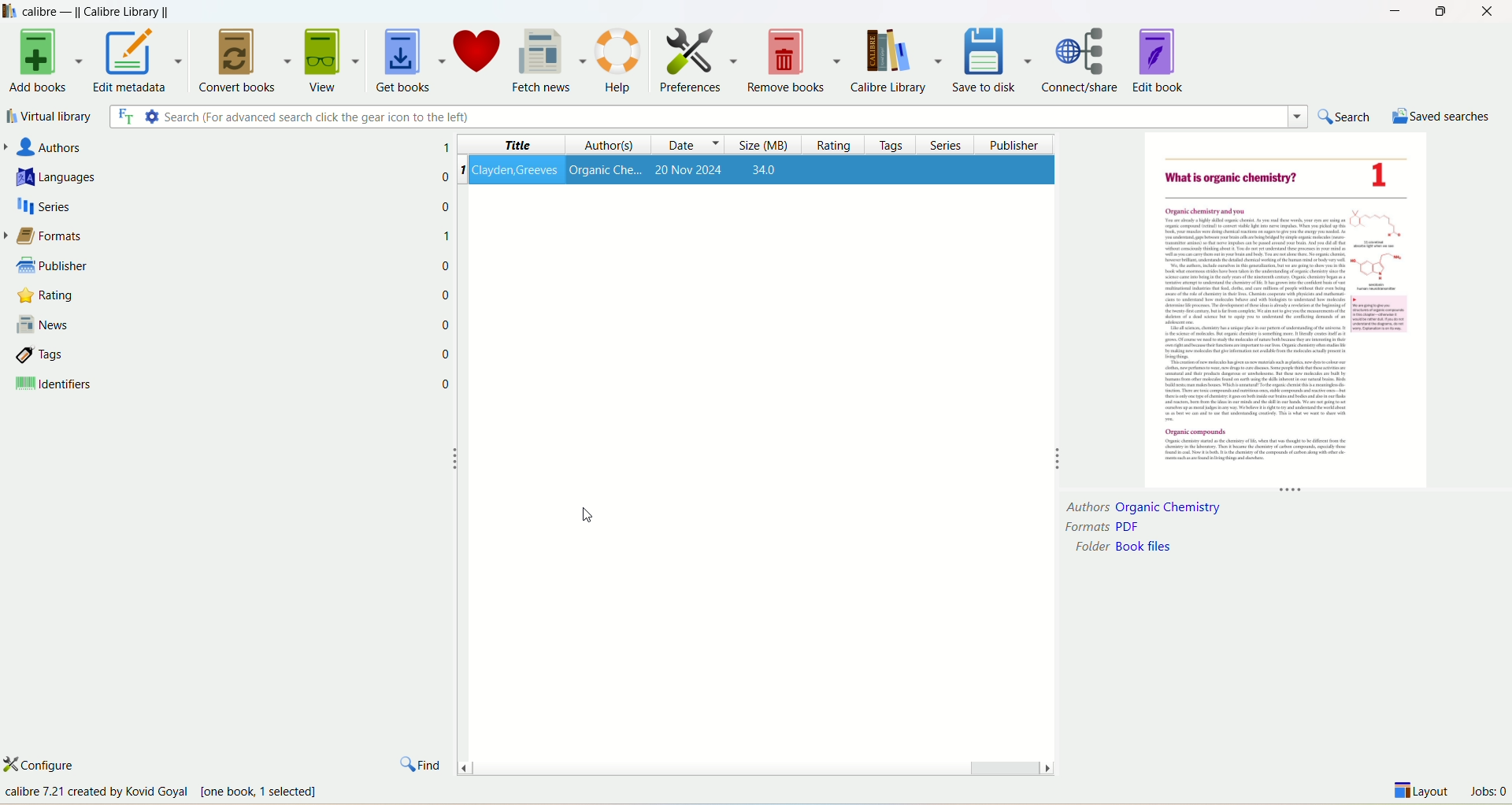  What do you see at coordinates (101, 10) in the screenshot?
I see `calibre` at bounding box center [101, 10].